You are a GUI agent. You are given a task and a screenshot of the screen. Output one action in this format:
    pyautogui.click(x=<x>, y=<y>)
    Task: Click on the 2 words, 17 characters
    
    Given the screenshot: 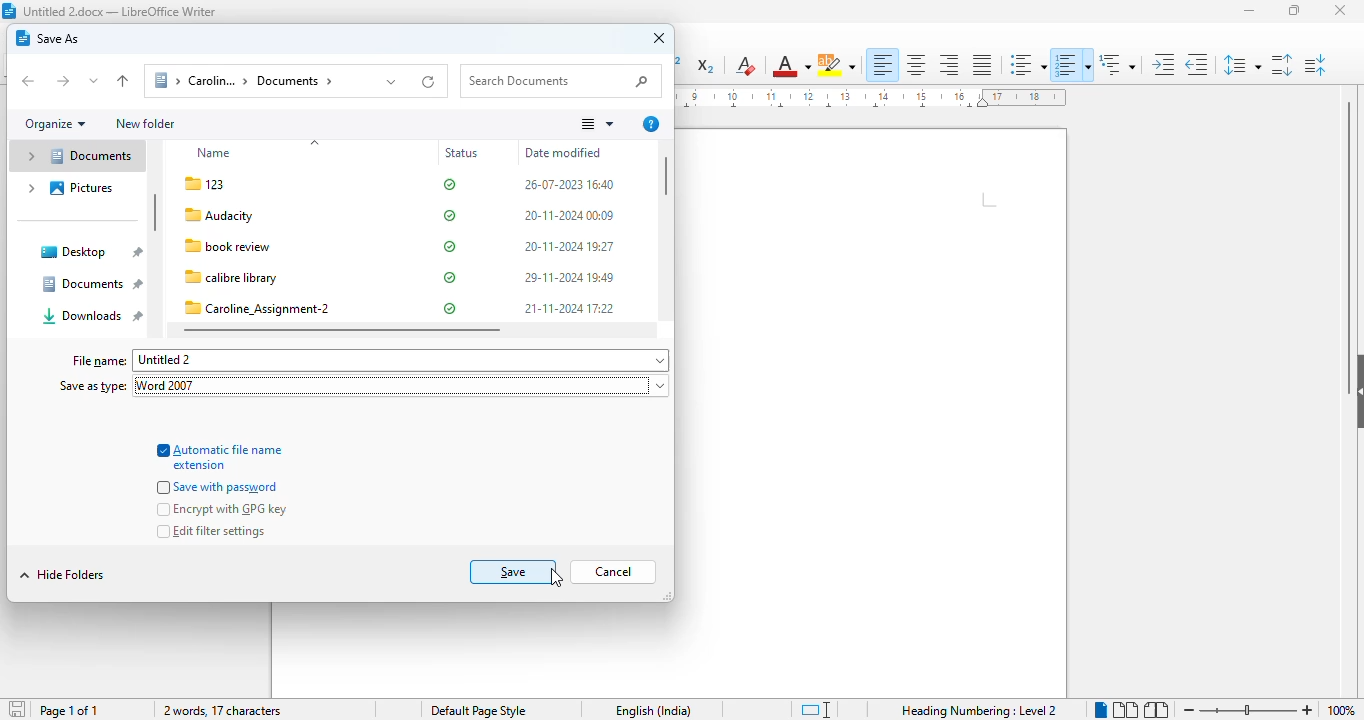 What is the action you would take?
    pyautogui.click(x=223, y=711)
    